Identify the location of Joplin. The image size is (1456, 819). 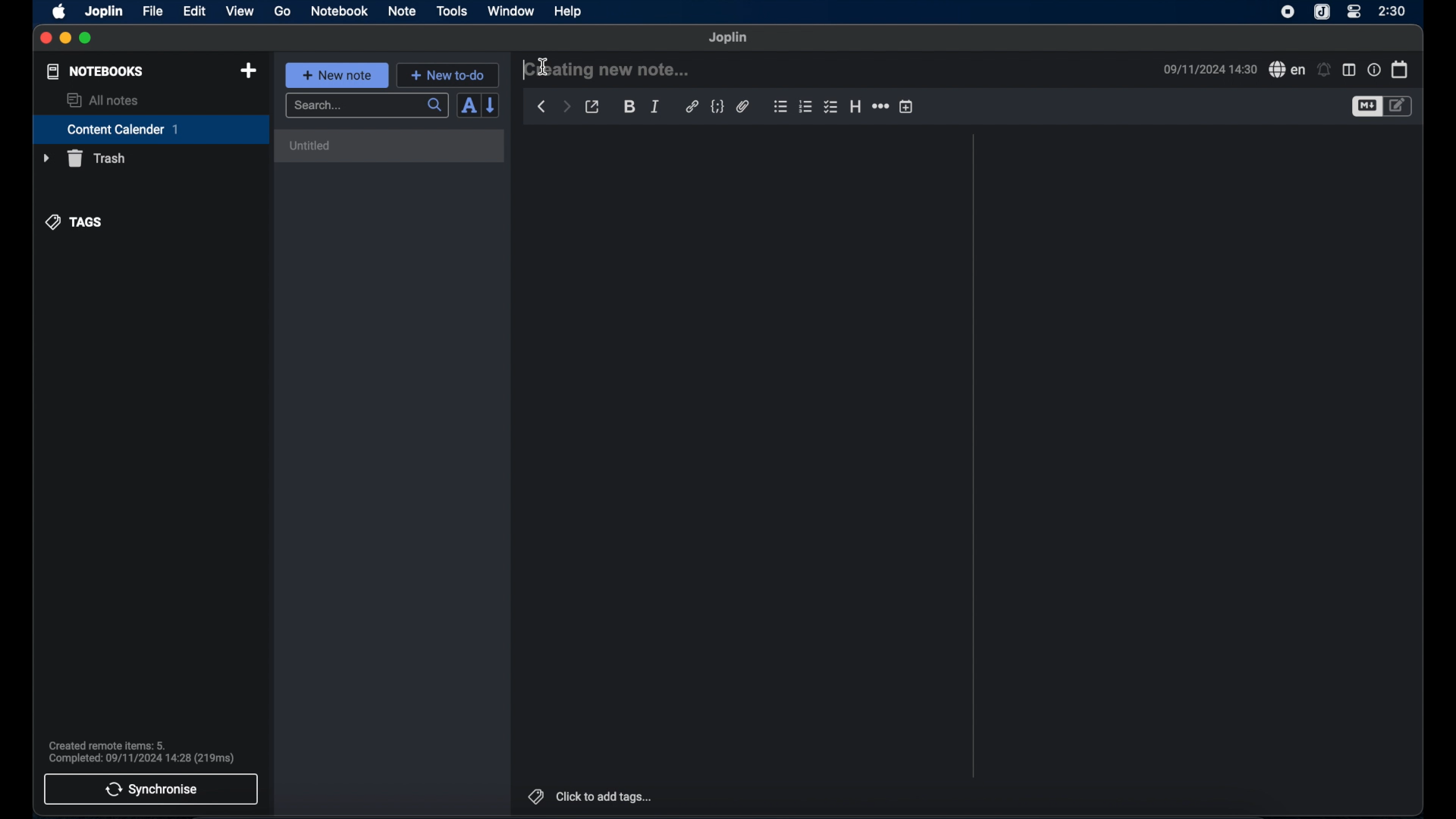
(729, 38).